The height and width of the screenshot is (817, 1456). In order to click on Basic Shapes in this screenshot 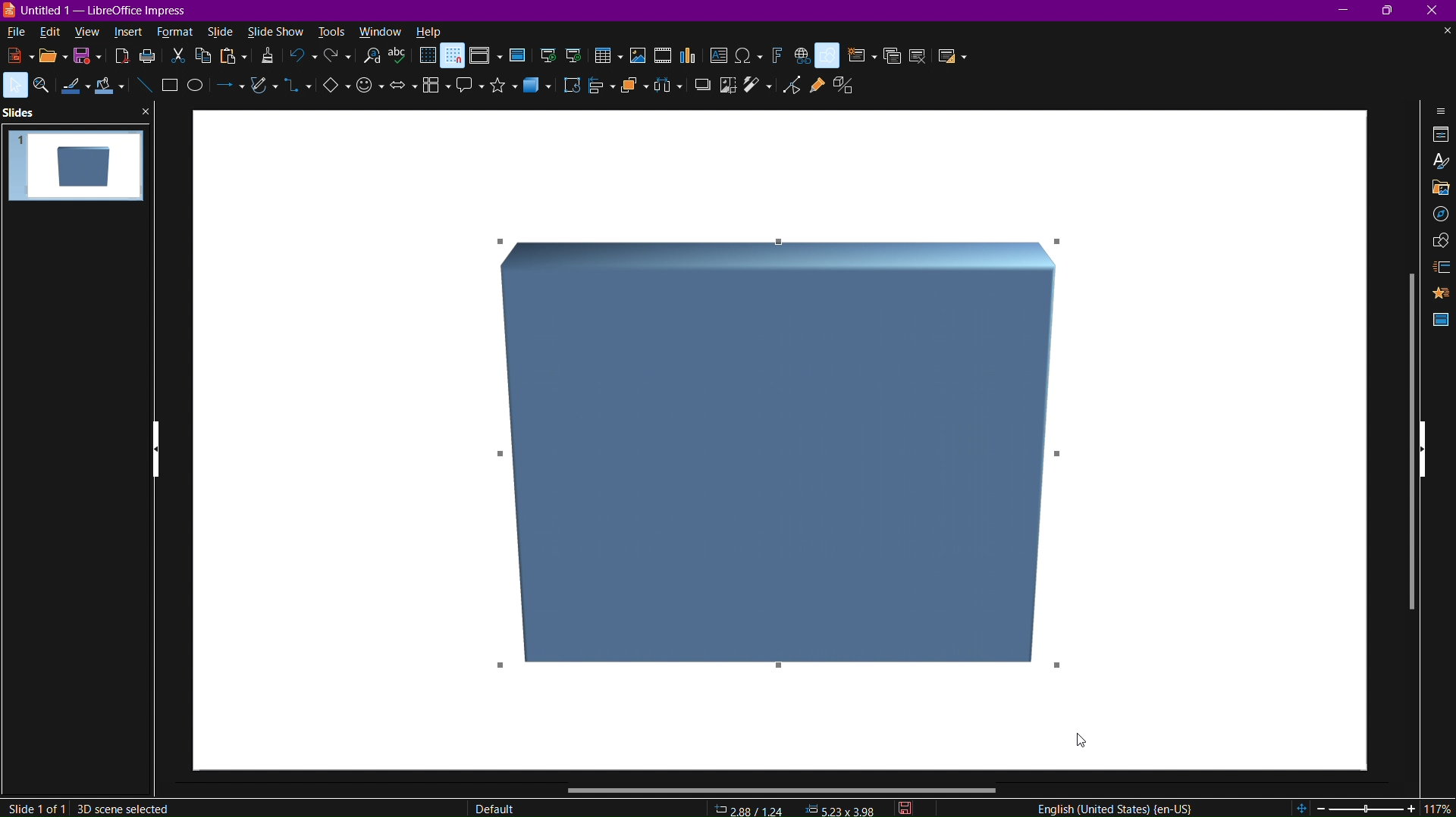, I will do `click(830, 55)`.